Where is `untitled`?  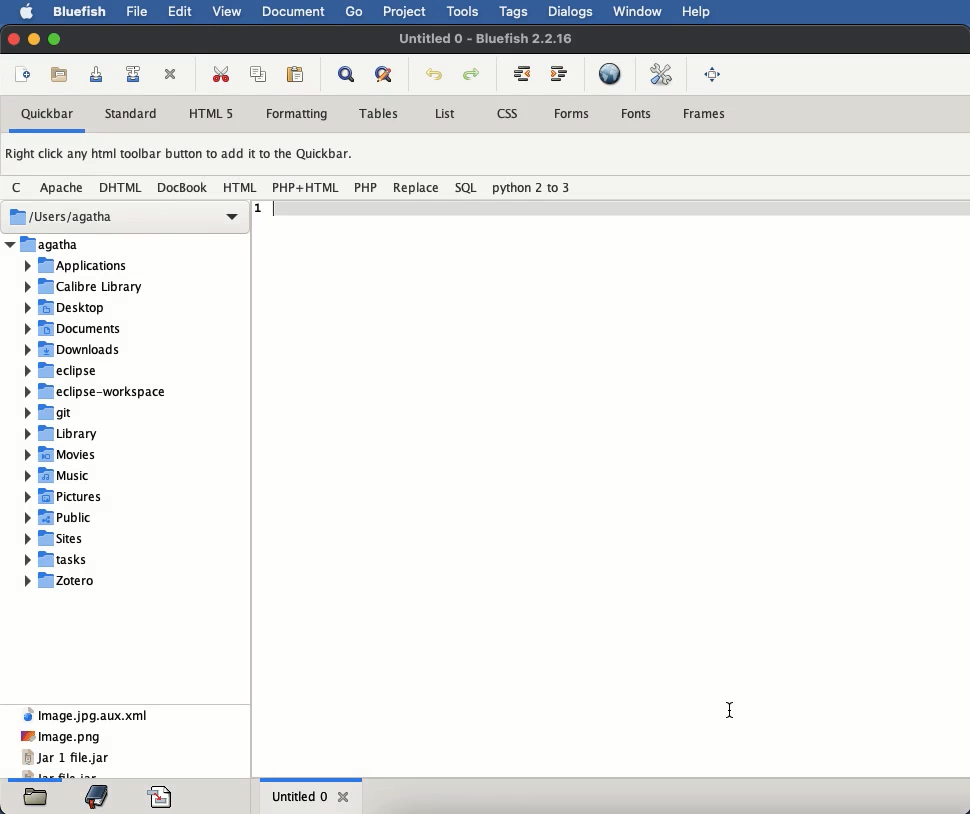
untitled is located at coordinates (488, 37).